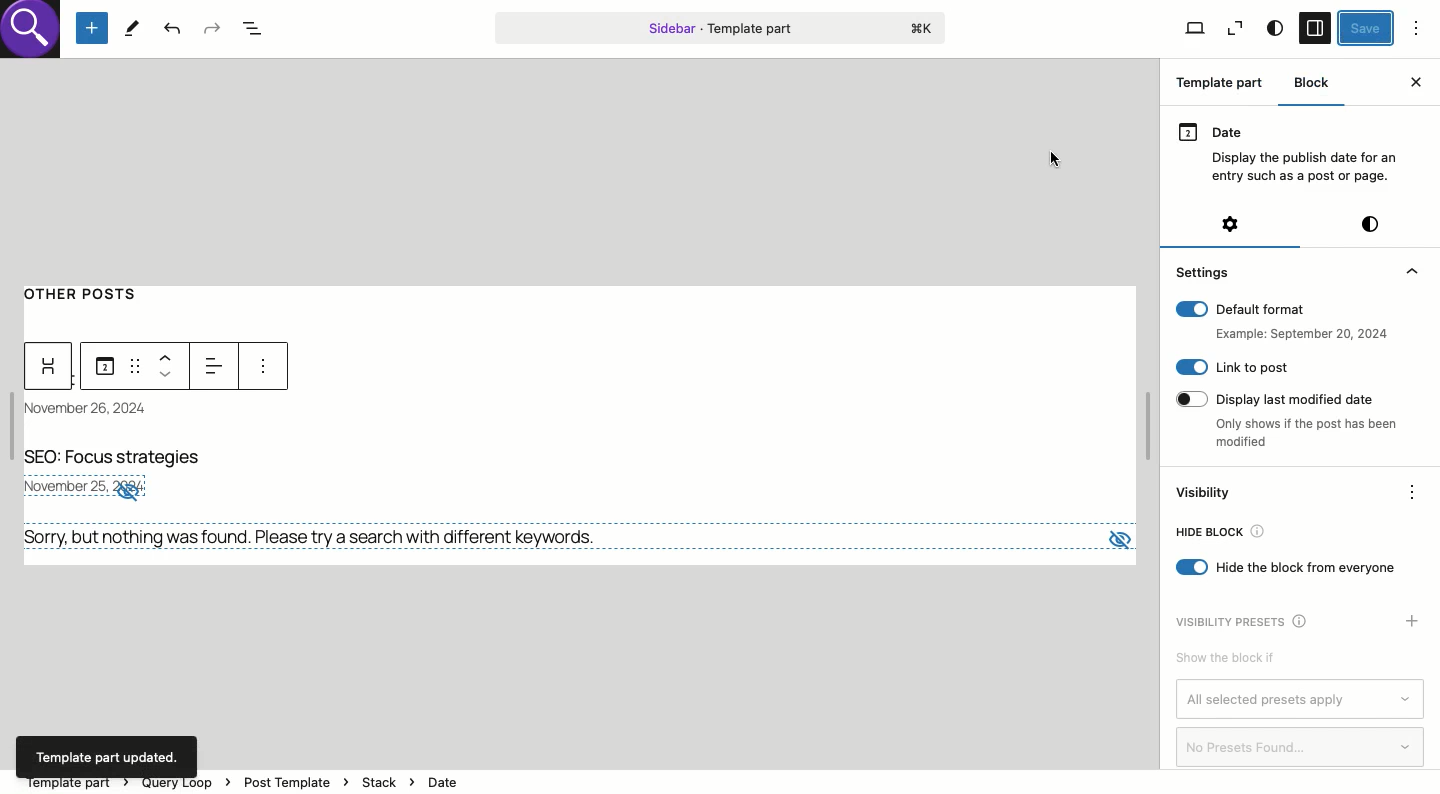 This screenshot has width=1440, height=794. I want to click on View, so click(1235, 29).